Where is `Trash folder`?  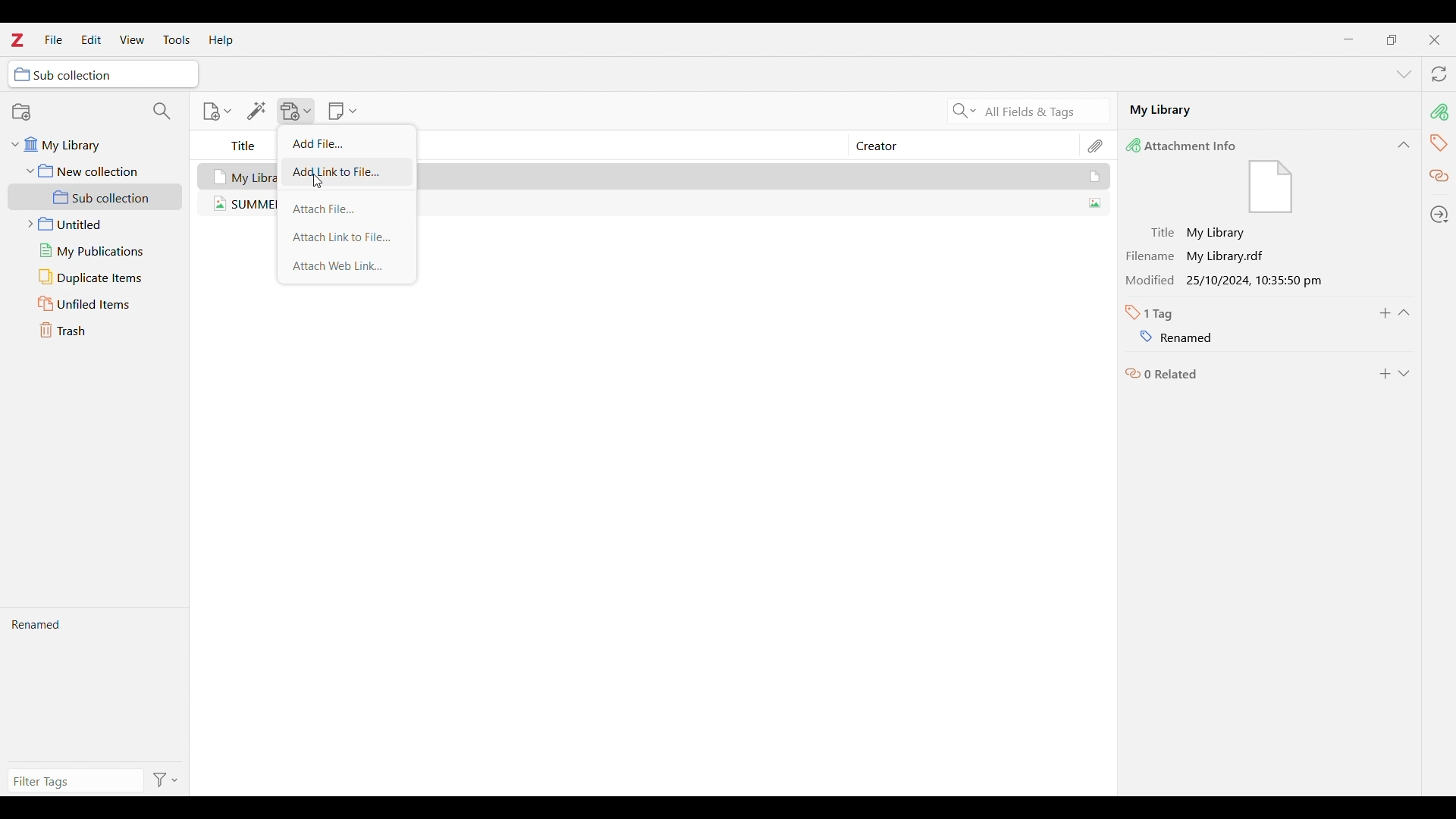 Trash folder is located at coordinates (99, 330).